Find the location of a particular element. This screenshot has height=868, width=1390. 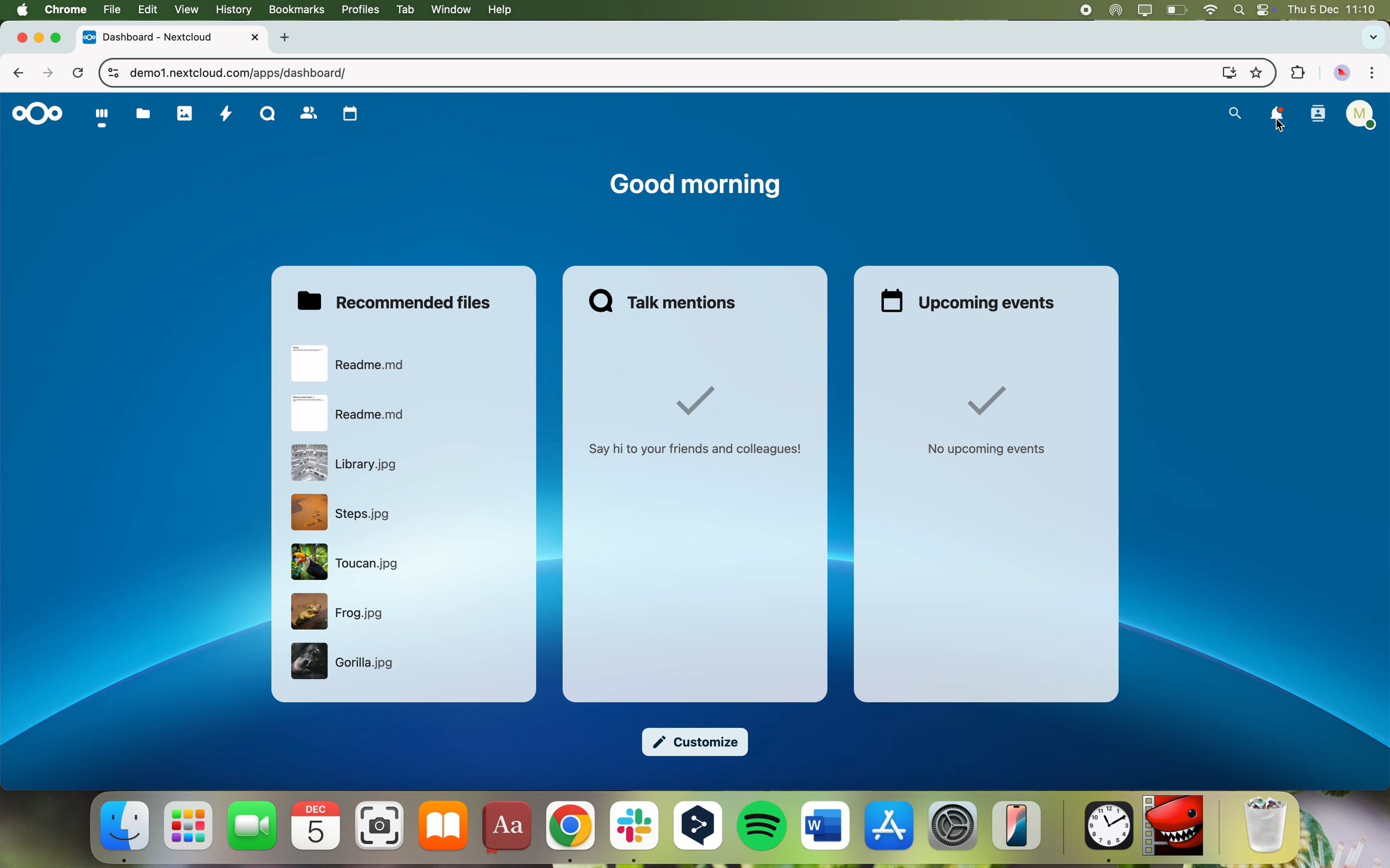

spotlight search is located at coordinates (1239, 9).